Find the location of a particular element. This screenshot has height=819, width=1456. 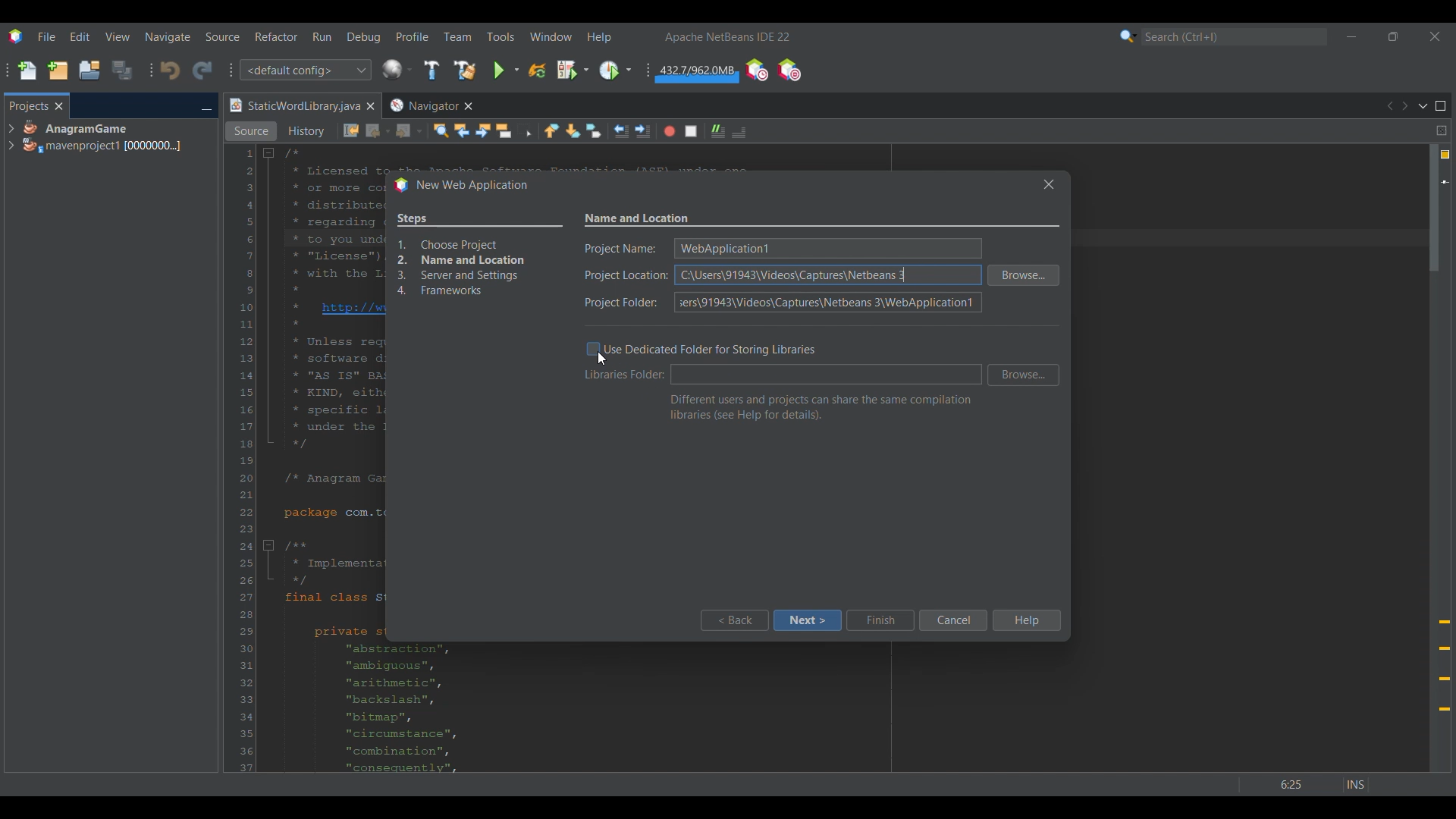

Project options is located at coordinates (103, 136).